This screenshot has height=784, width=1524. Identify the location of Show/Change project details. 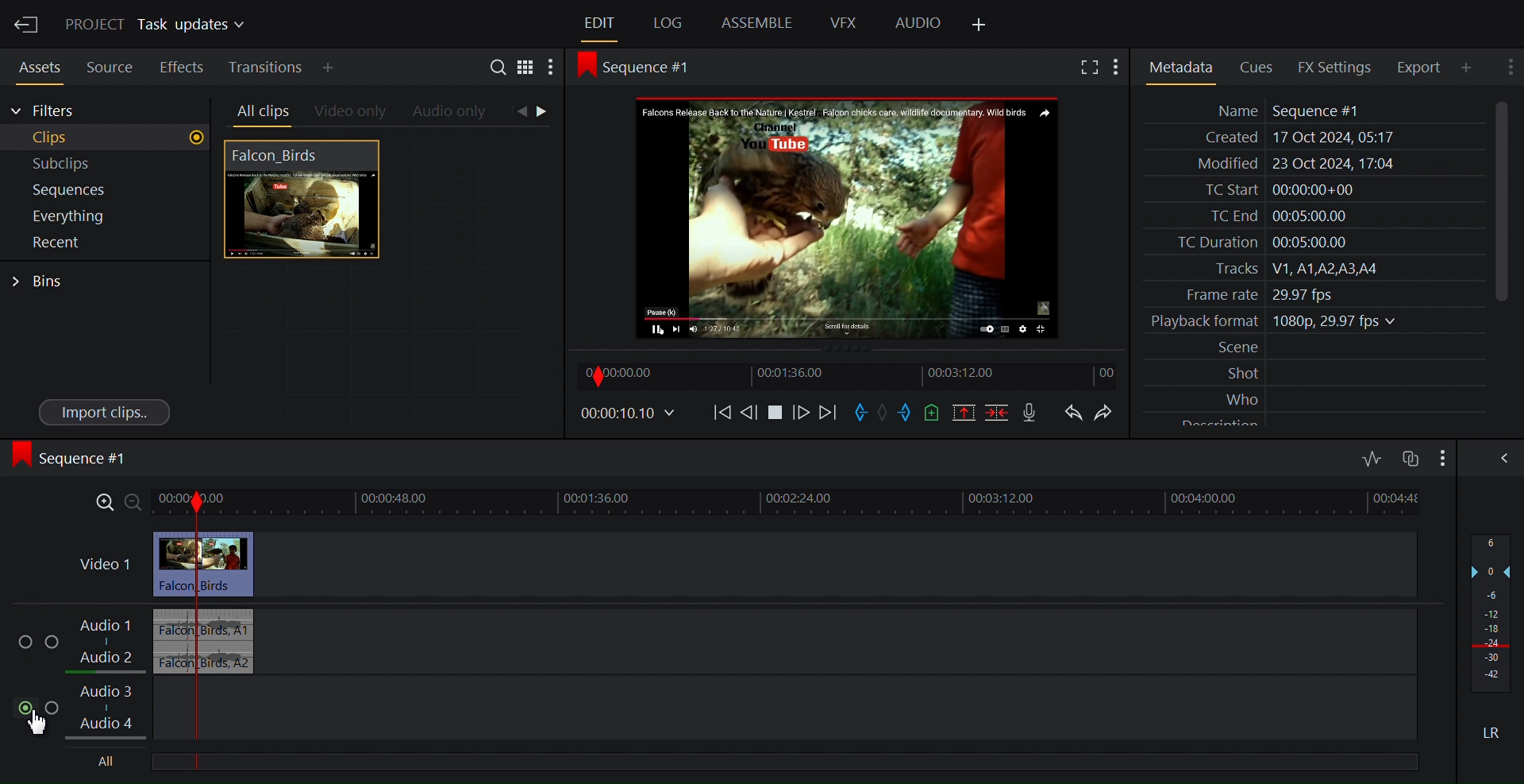
(159, 25).